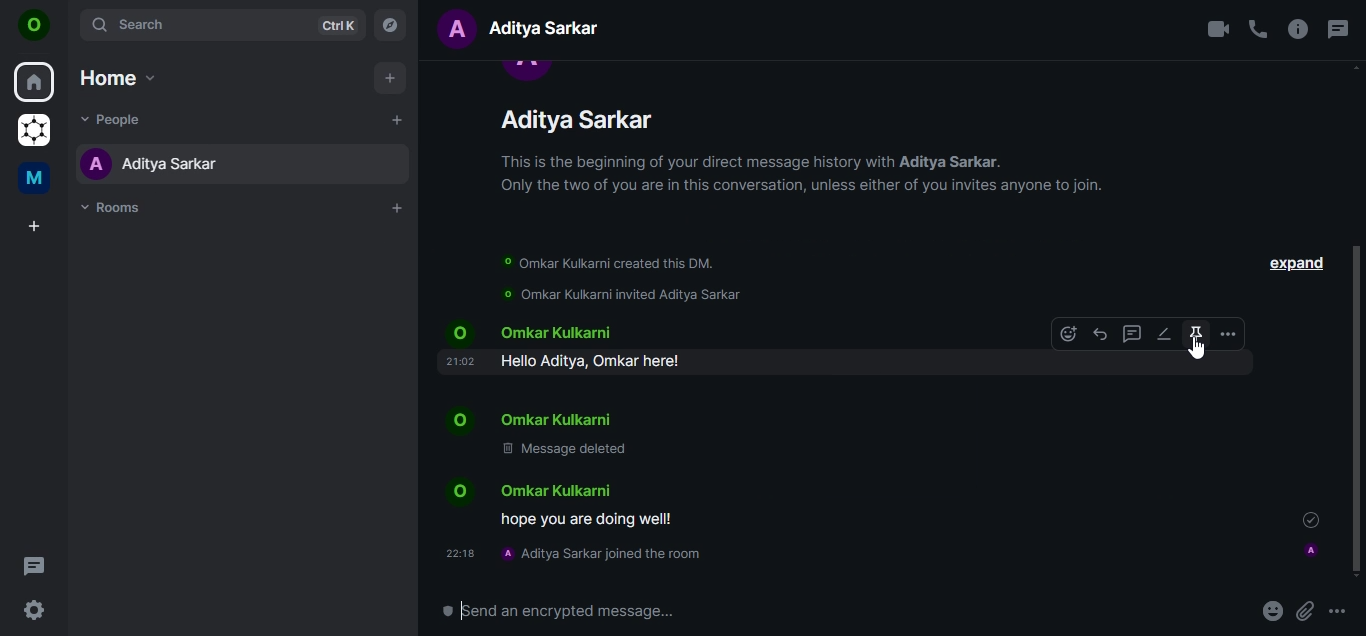 This screenshot has height=636, width=1366. Describe the element at coordinates (1218, 29) in the screenshot. I see `video call` at that location.